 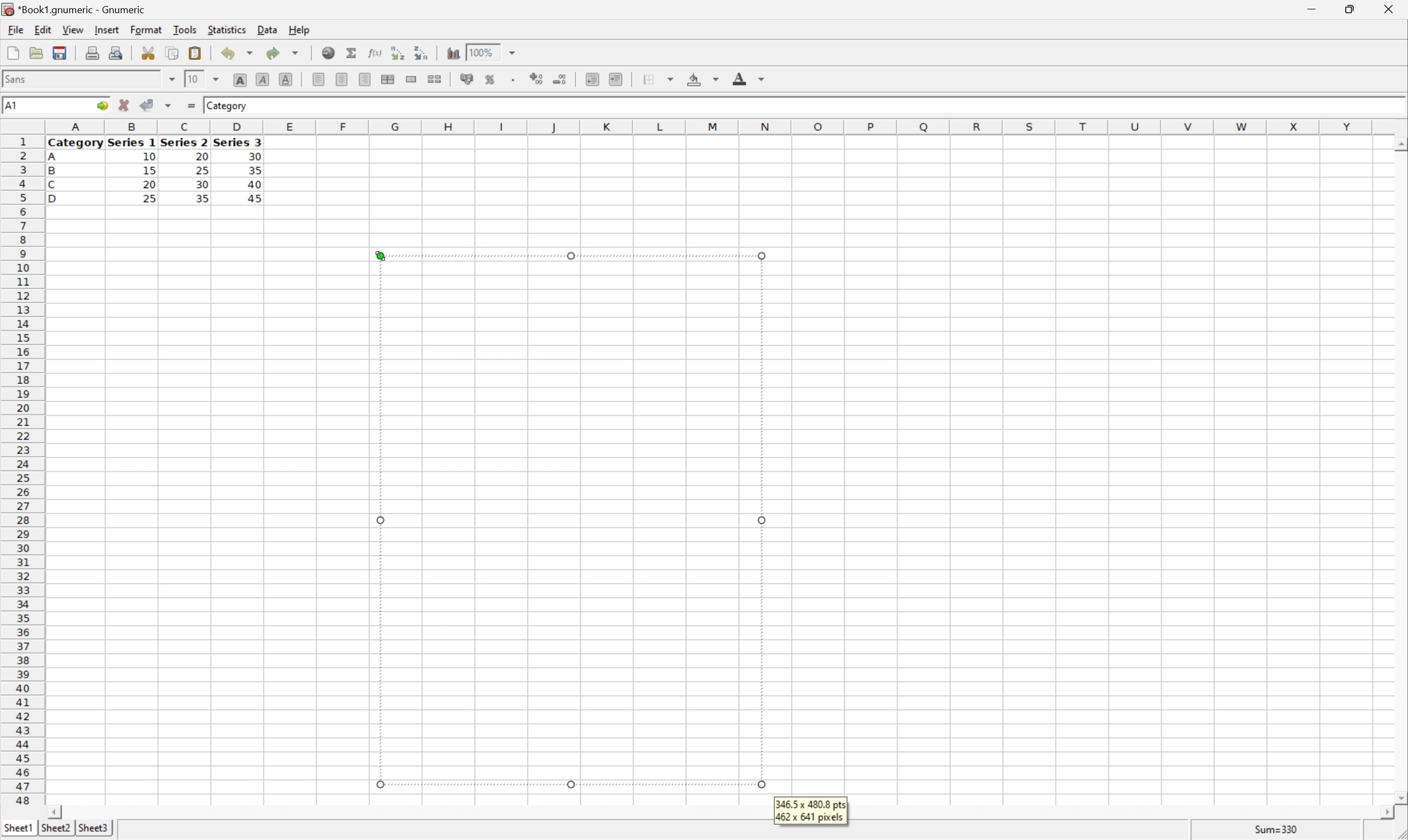 I want to click on Drop Down, so click(x=514, y=52).